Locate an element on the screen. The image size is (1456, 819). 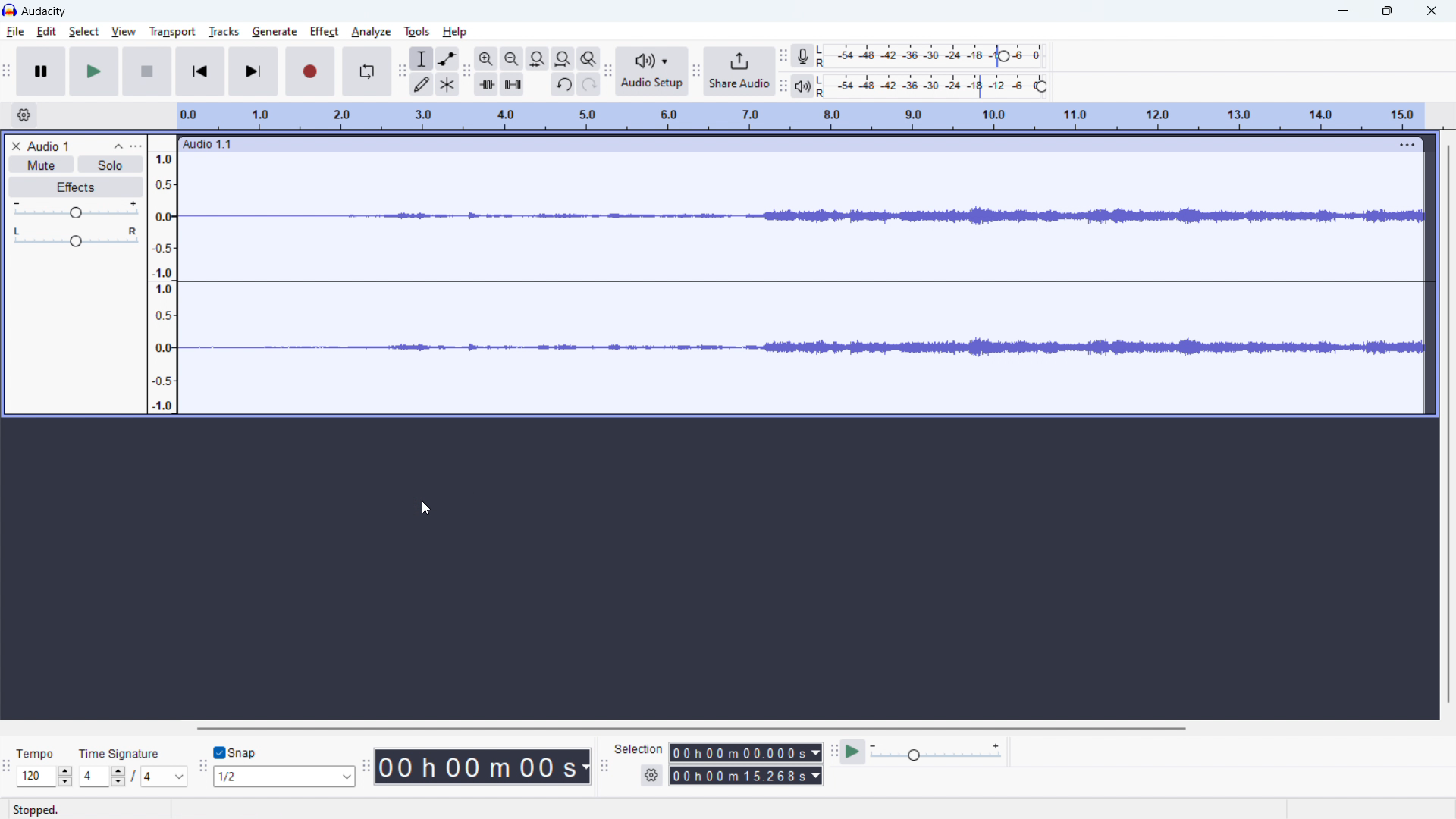
zoom in is located at coordinates (485, 58).